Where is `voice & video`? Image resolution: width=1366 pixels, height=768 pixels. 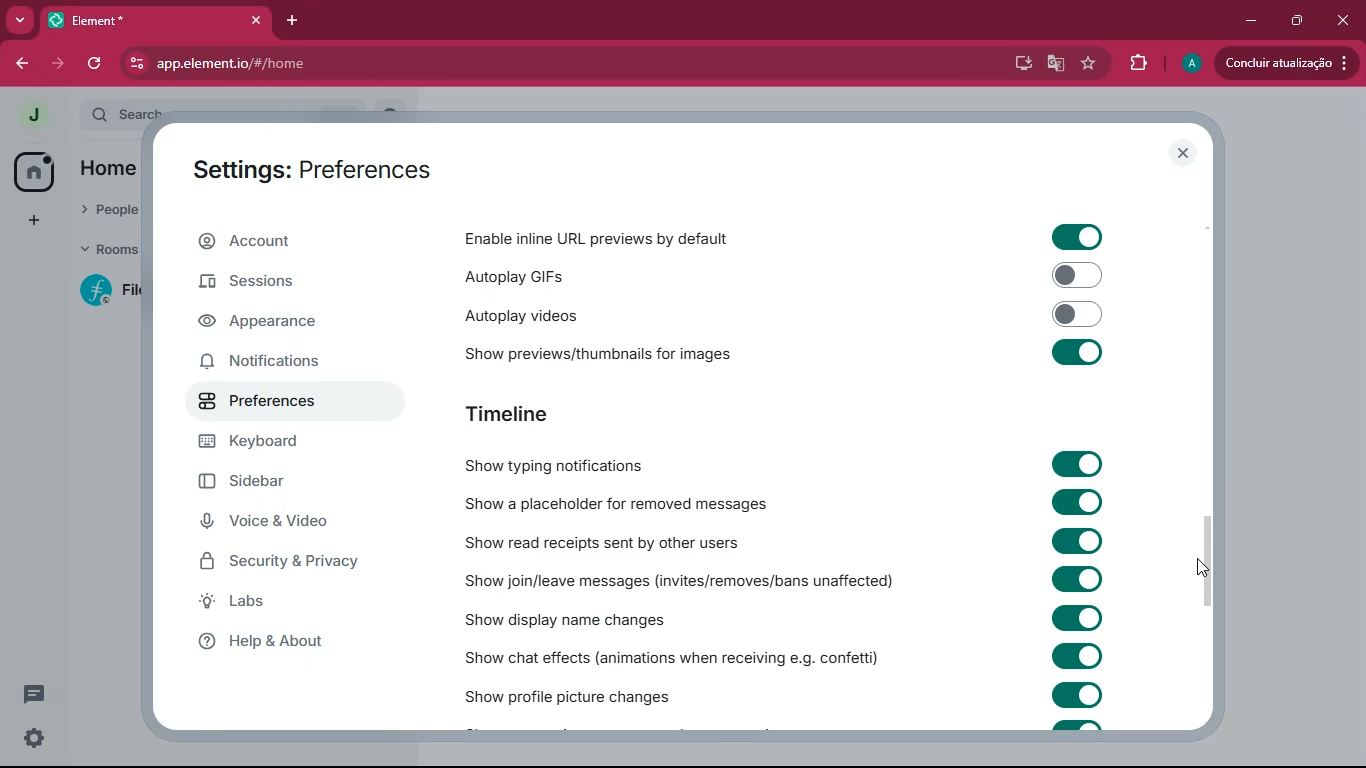 voice & video is located at coordinates (280, 524).